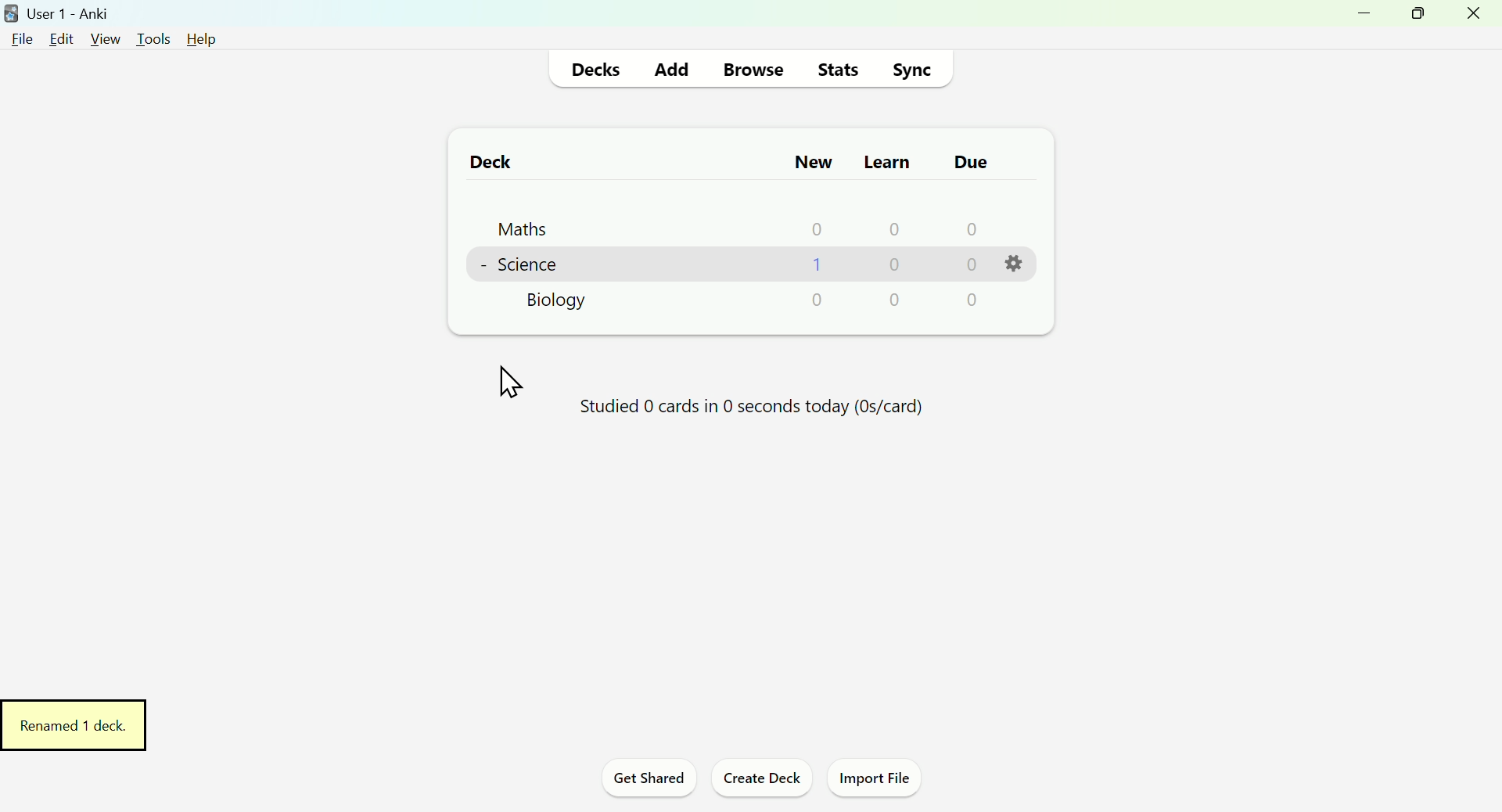 The image size is (1502, 812). What do you see at coordinates (811, 161) in the screenshot?
I see `New` at bounding box center [811, 161].